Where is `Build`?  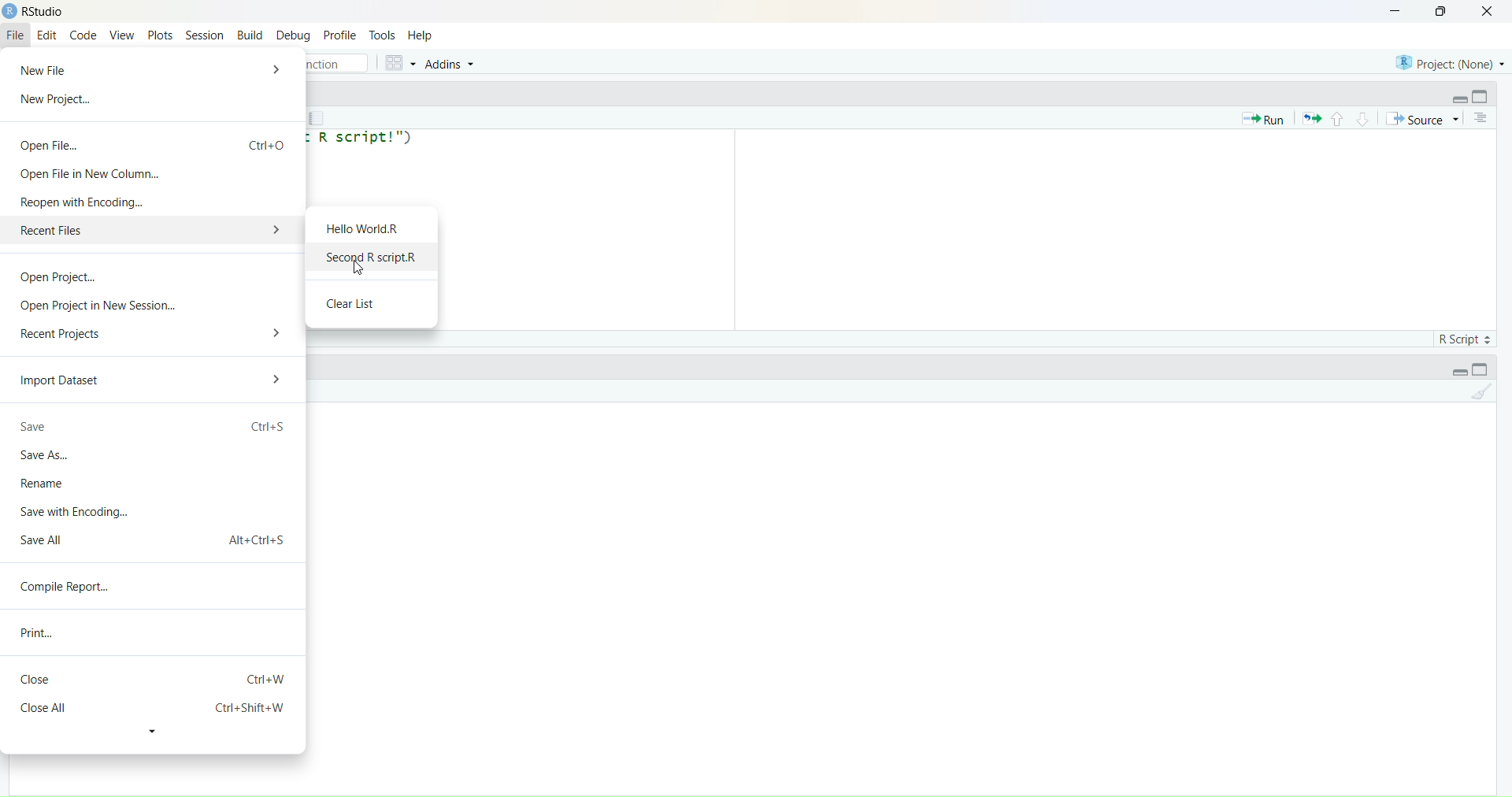 Build is located at coordinates (250, 35).